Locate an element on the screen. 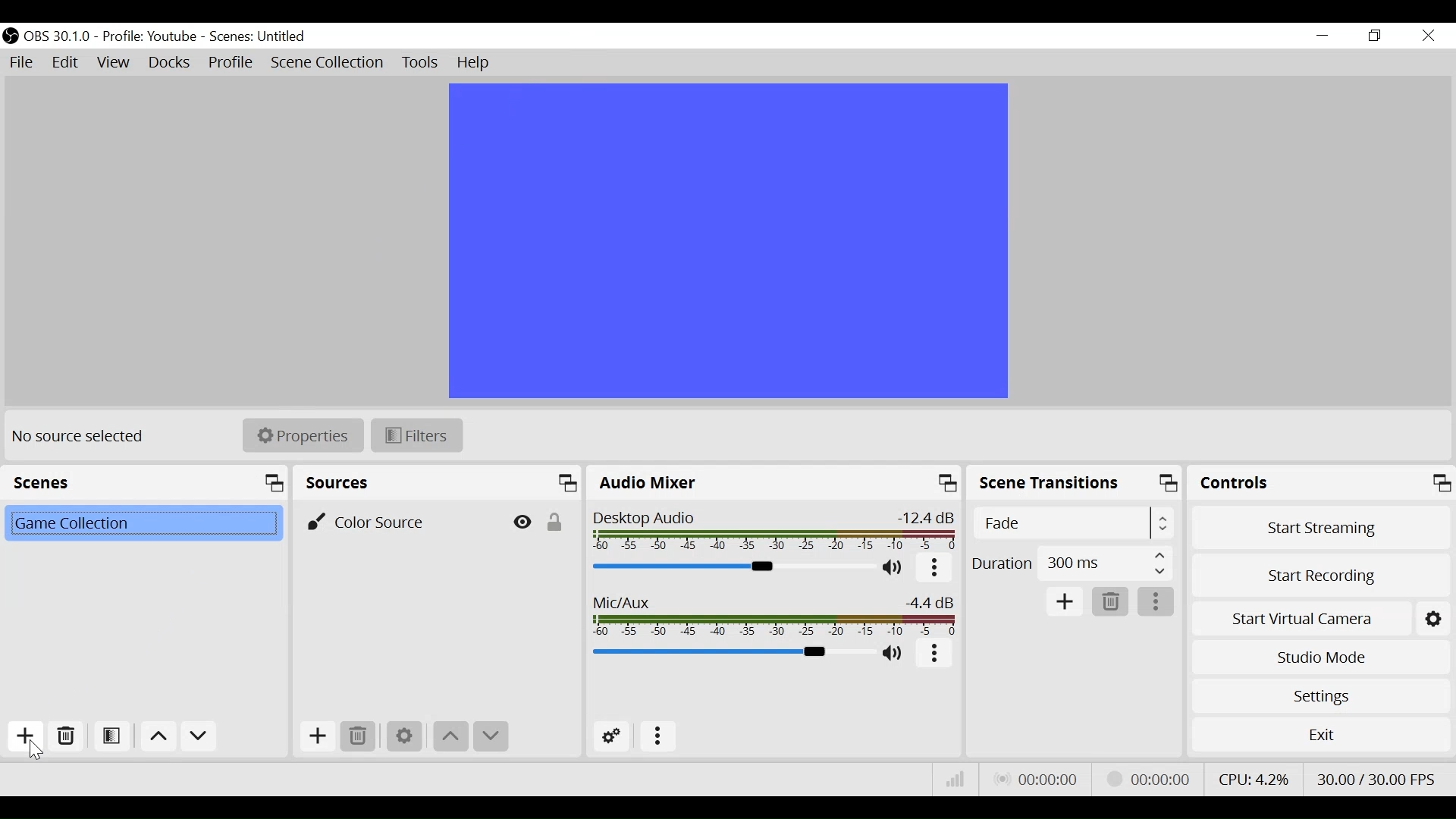  Scenes Name is located at coordinates (262, 36).